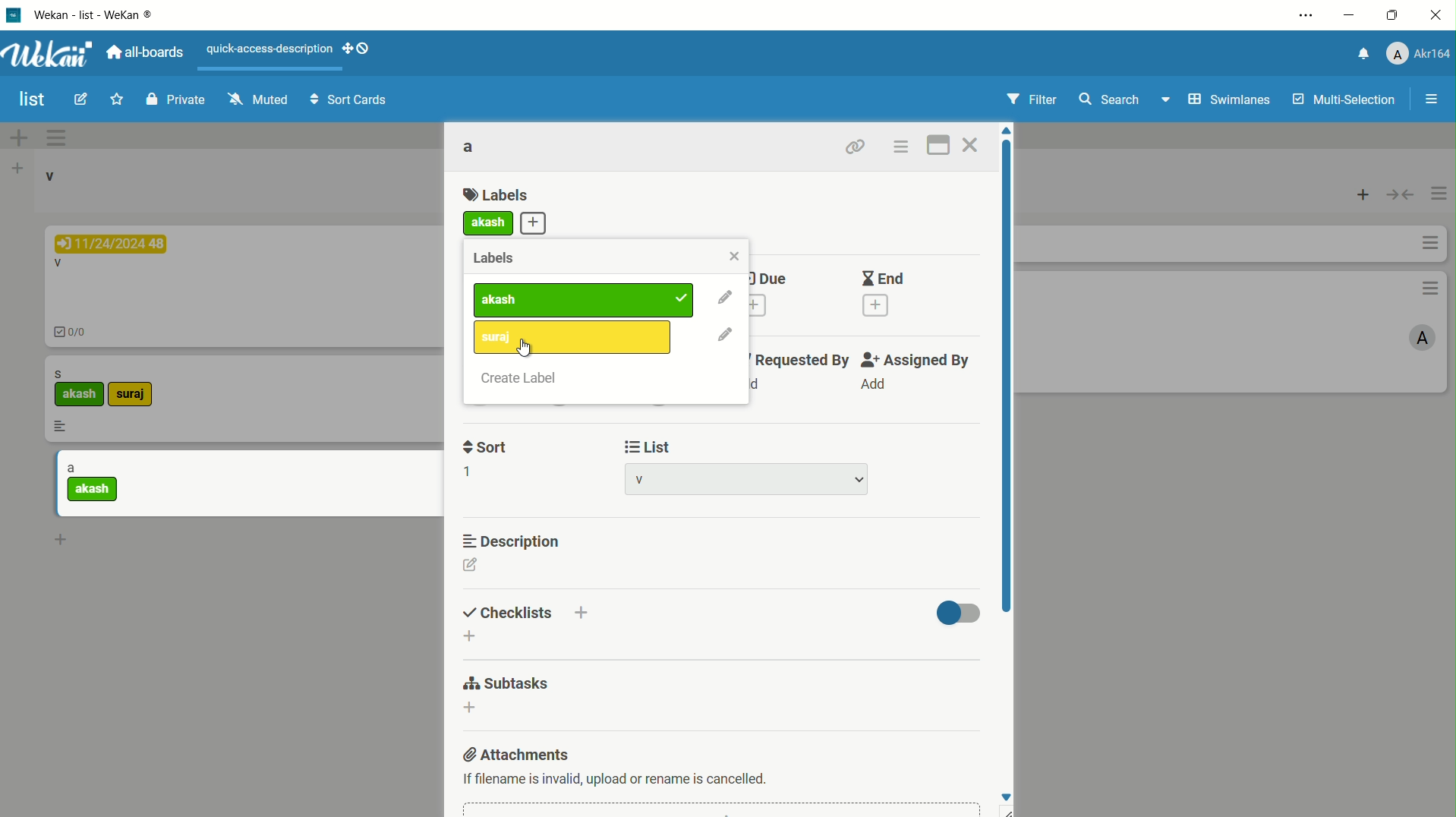 Image resolution: width=1456 pixels, height=817 pixels. I want to click on checklists, so click(506, 611).